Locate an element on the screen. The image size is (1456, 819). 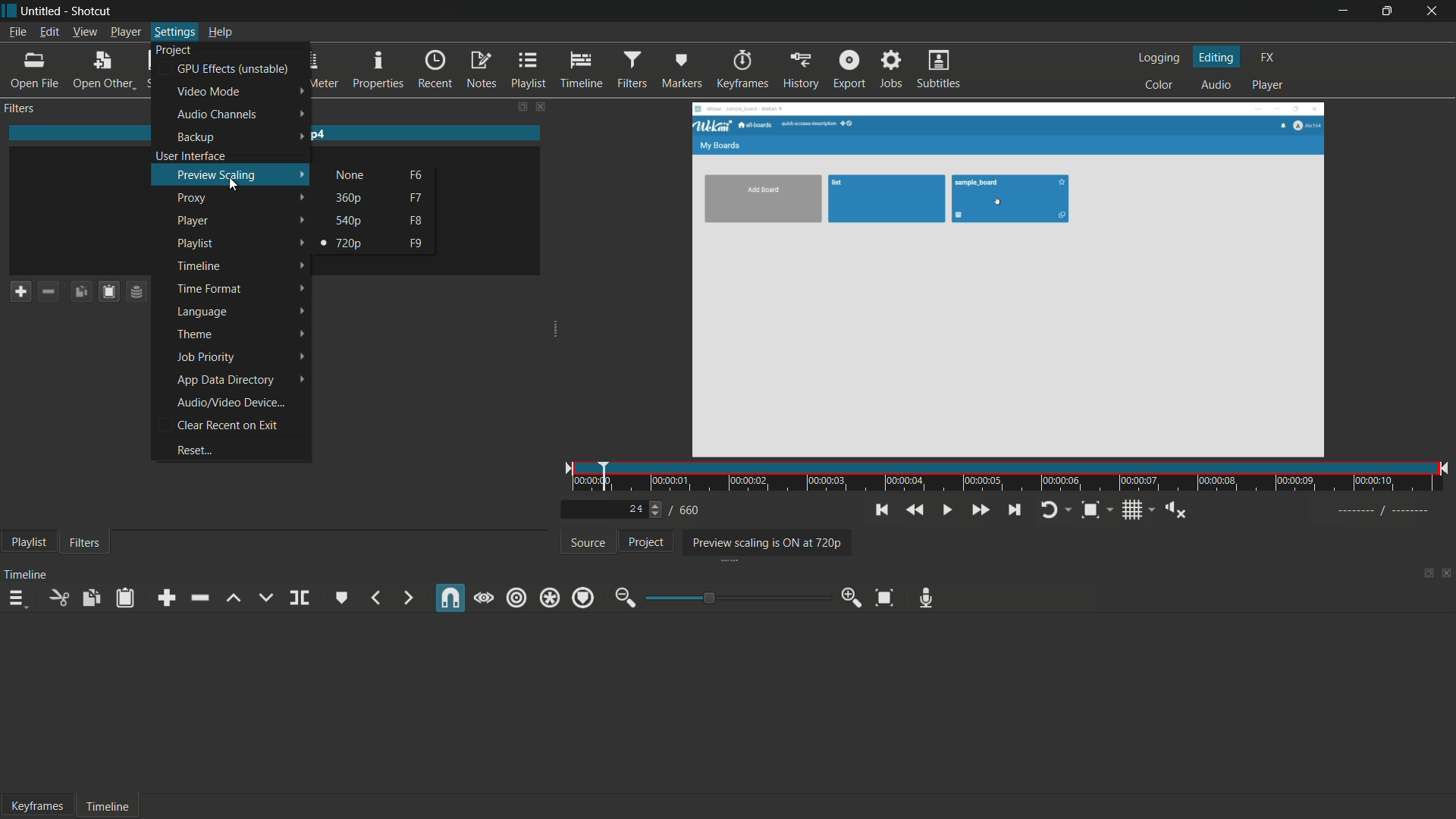
fx is located at coordinates (1267, 55).